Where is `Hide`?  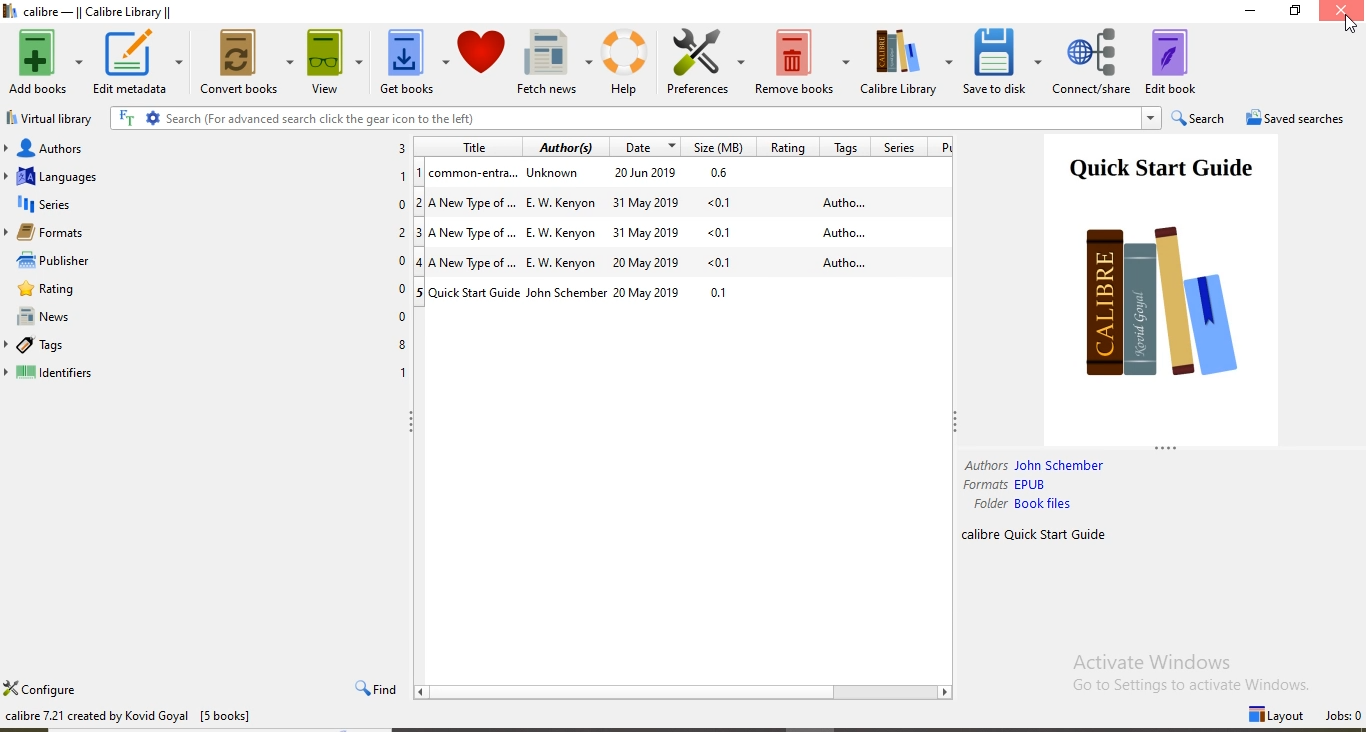 Hide is located at coordinates (1163, 447).